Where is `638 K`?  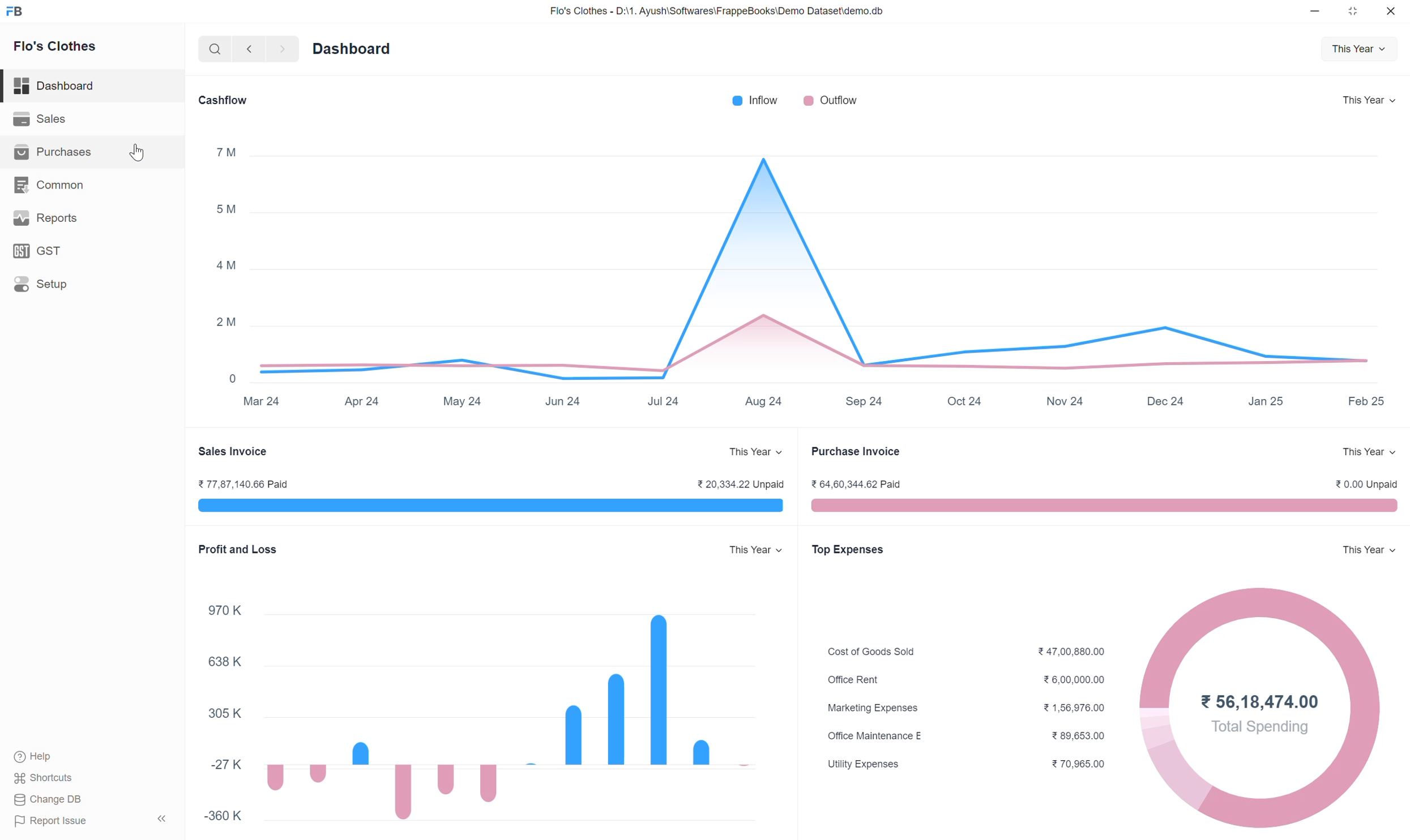 638 K is located at coordinates (225, 661).